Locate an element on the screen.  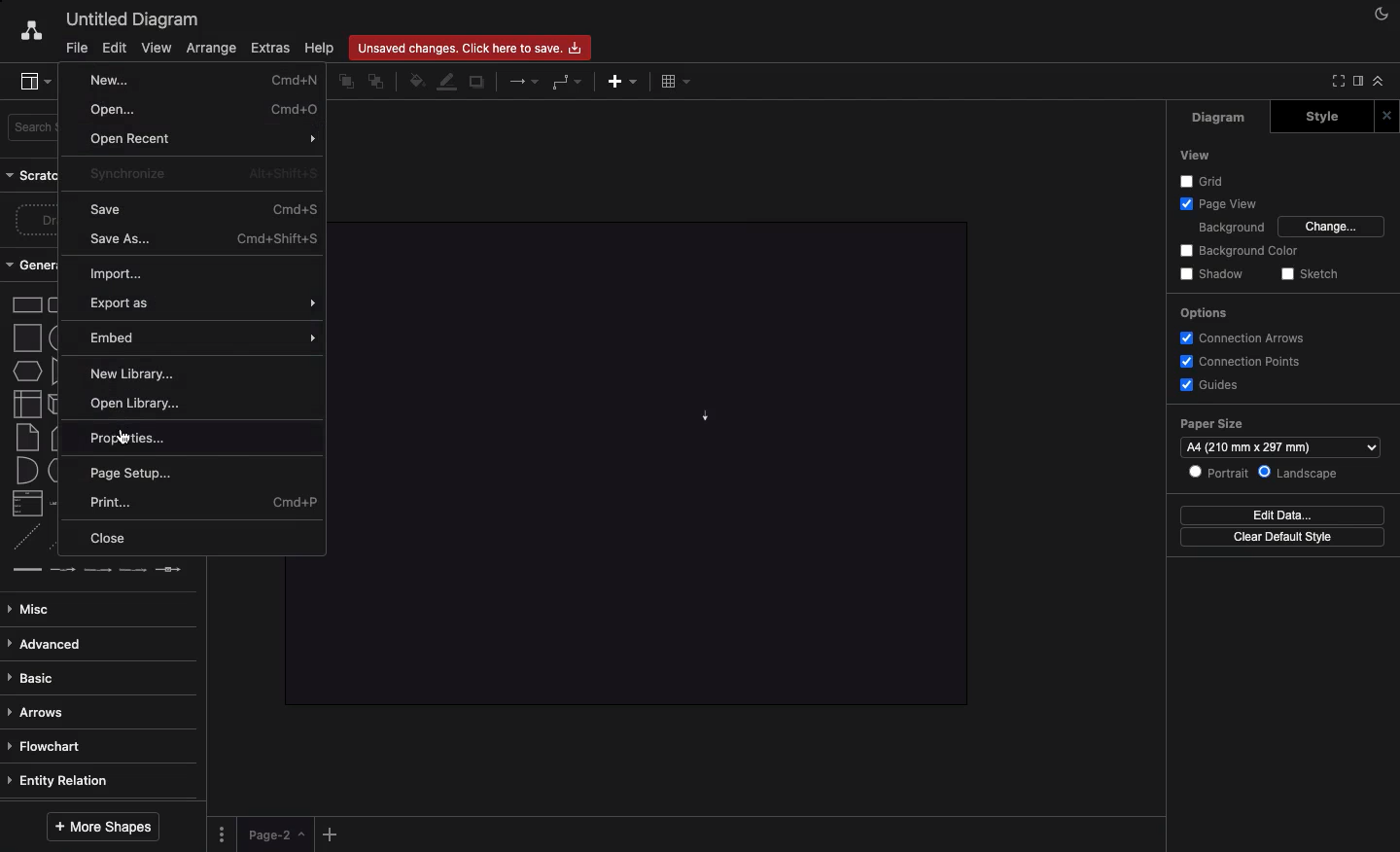
Save as is located at coordinates (203, 238).